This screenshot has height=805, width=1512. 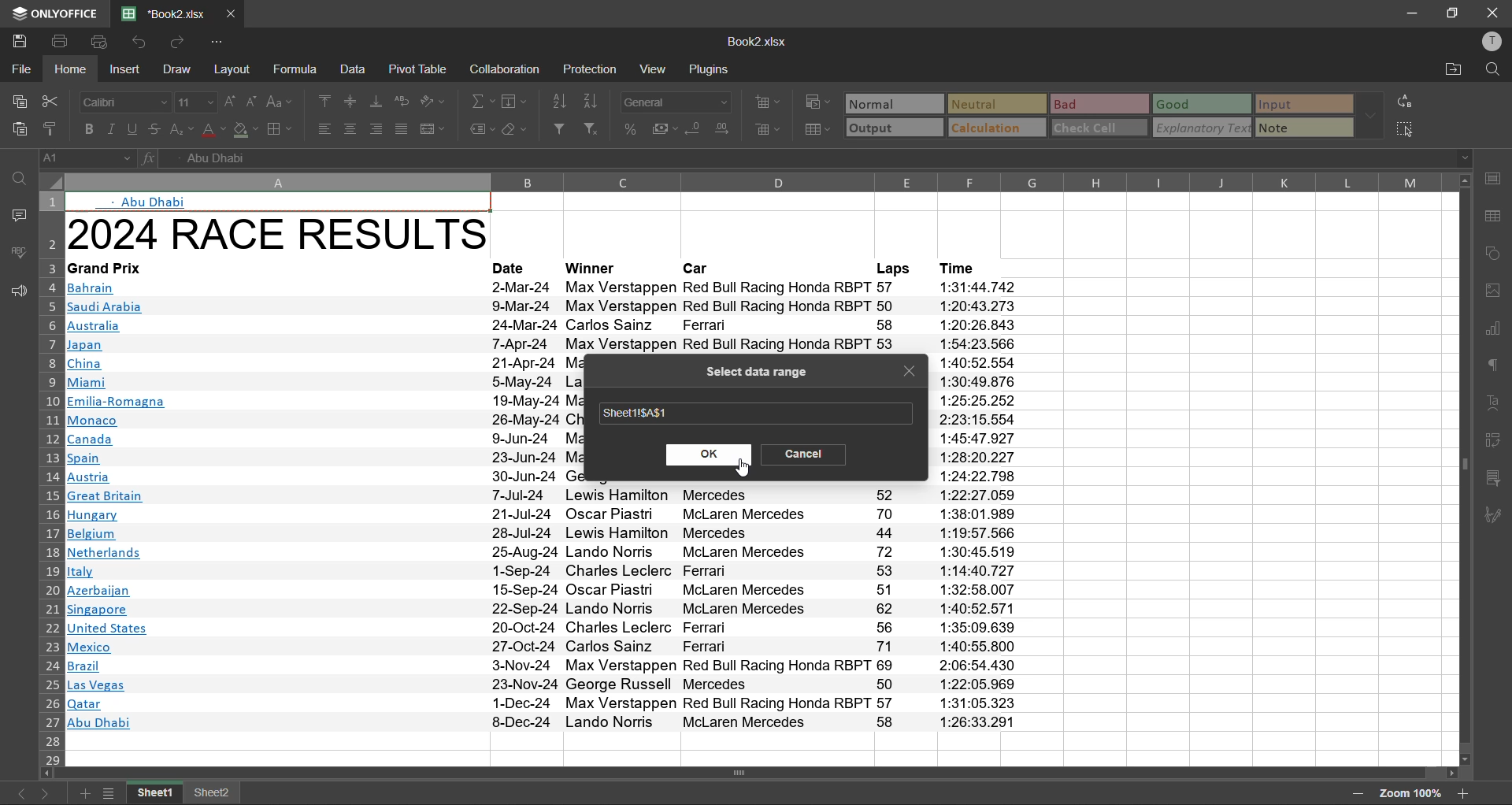 I want to click on orientation, so click(x=434, y=99).